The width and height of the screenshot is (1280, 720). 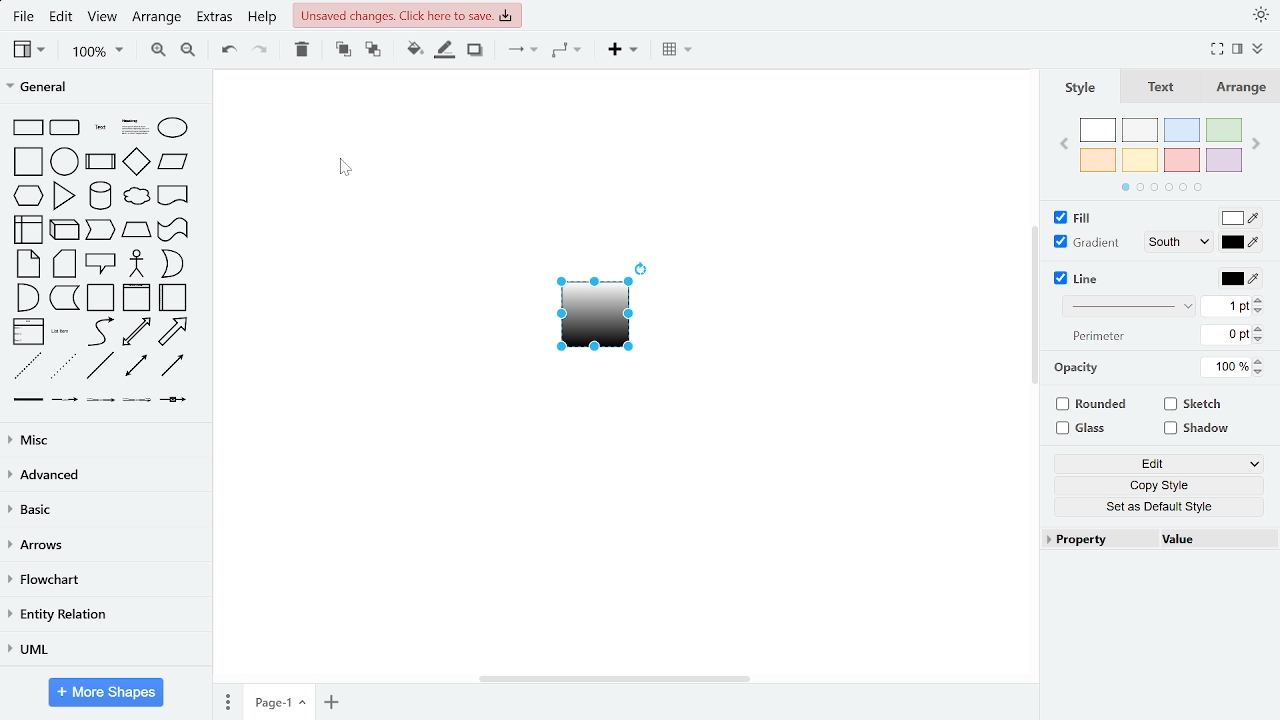 I want to click on general shapes, so click(x=63, y=159).